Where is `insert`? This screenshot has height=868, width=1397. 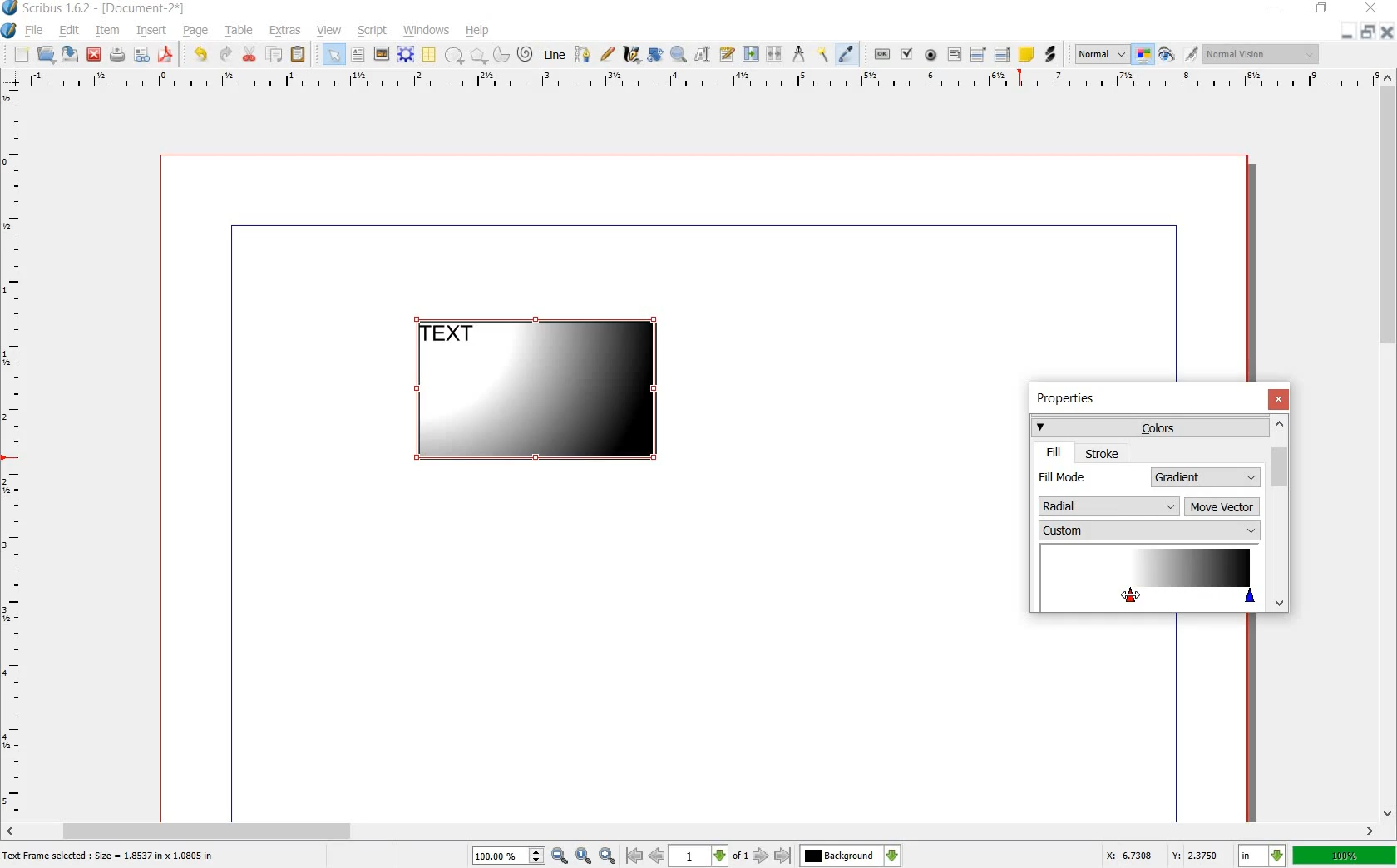 insert is located at coordinates (152, 32).